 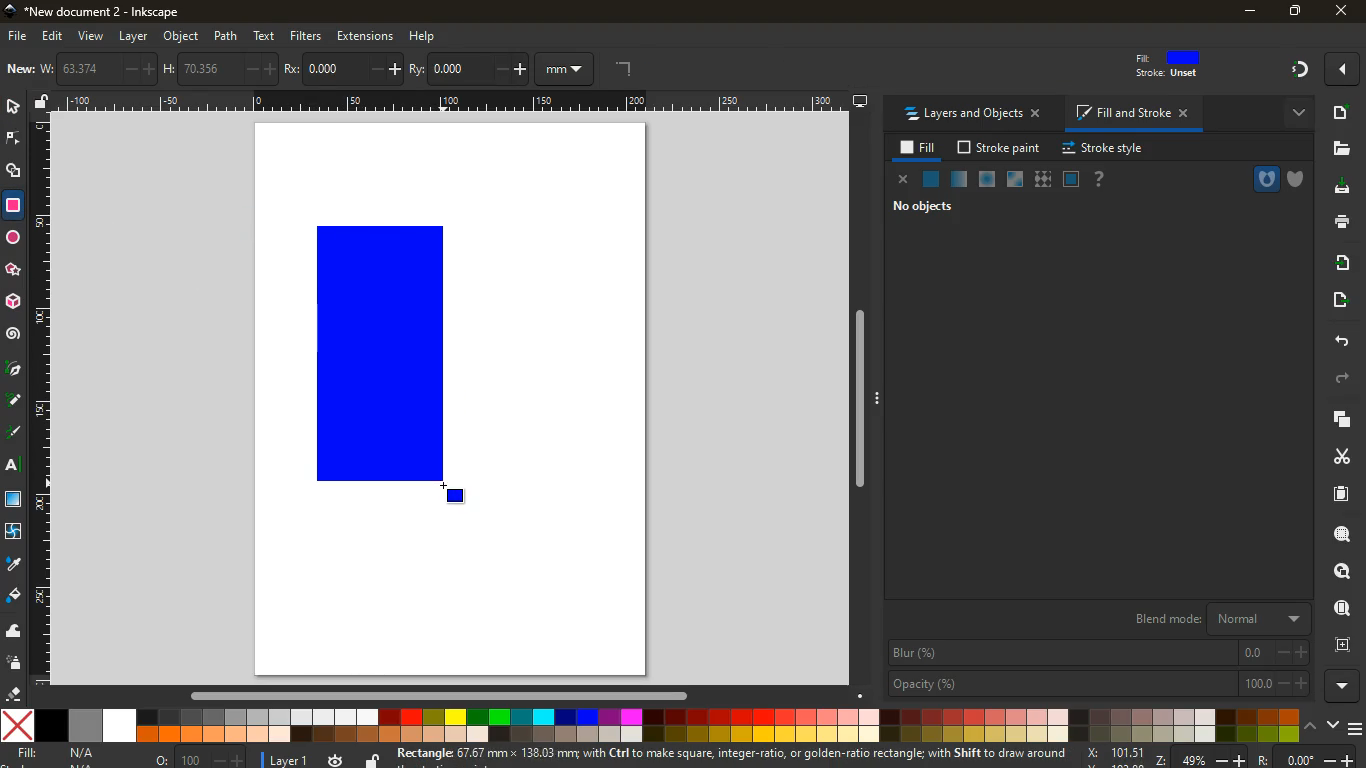 What do you see at coordinates (365, 37) in the screenshot?
I see `extensions` at bounding box center [365, 37].